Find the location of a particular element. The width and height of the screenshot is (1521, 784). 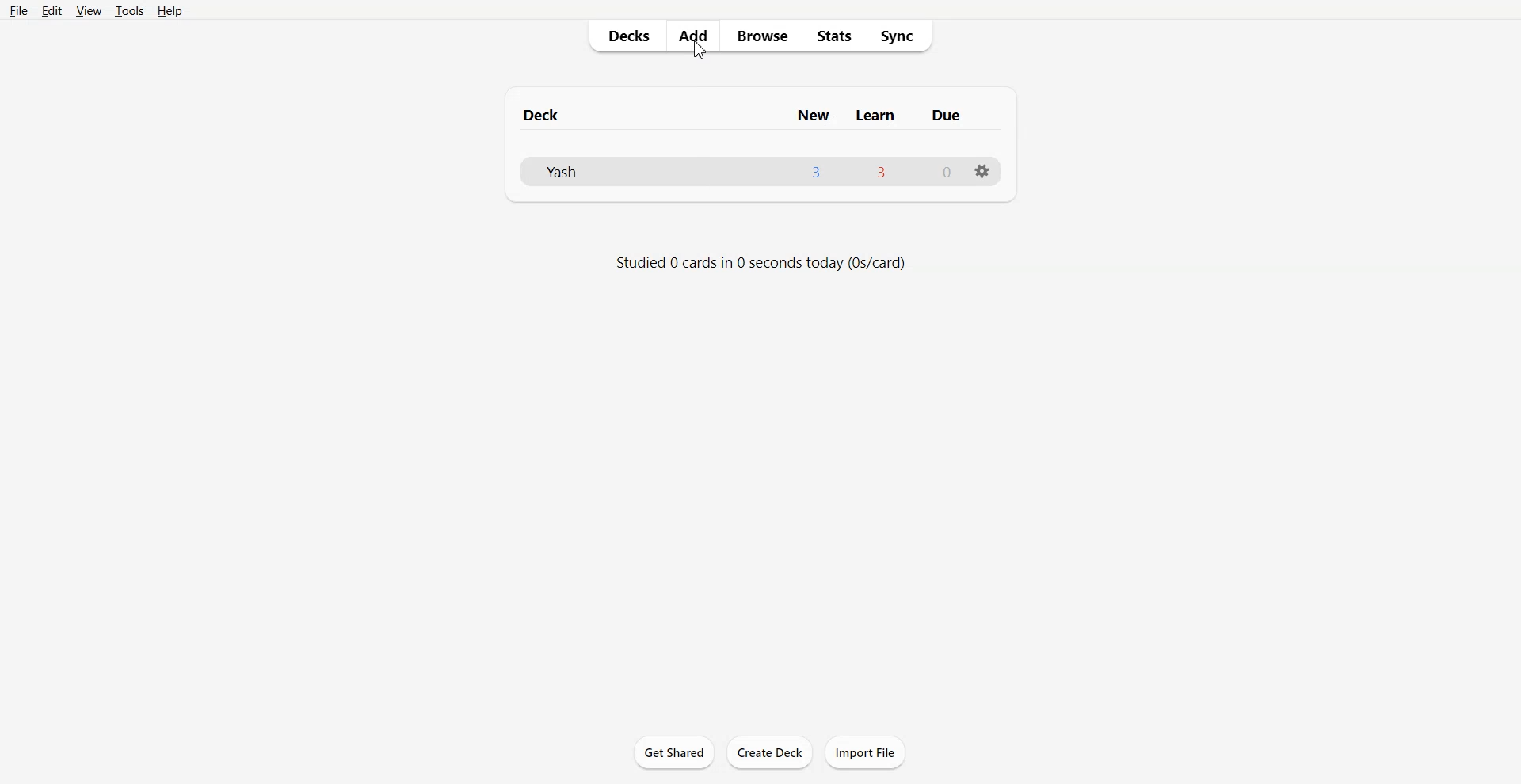

Sync is located at coordinates (902, 36).